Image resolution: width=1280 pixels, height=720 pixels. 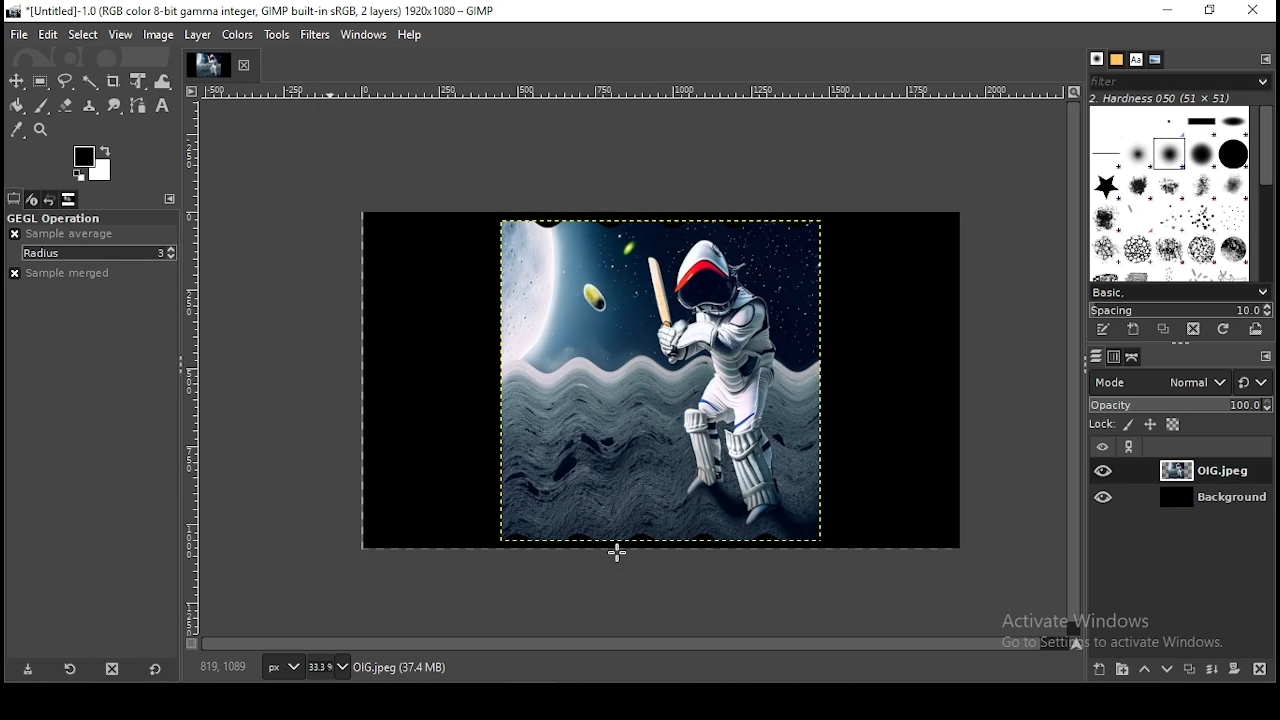 I want to click on bucket fill tool, so click(x=17, y=107).